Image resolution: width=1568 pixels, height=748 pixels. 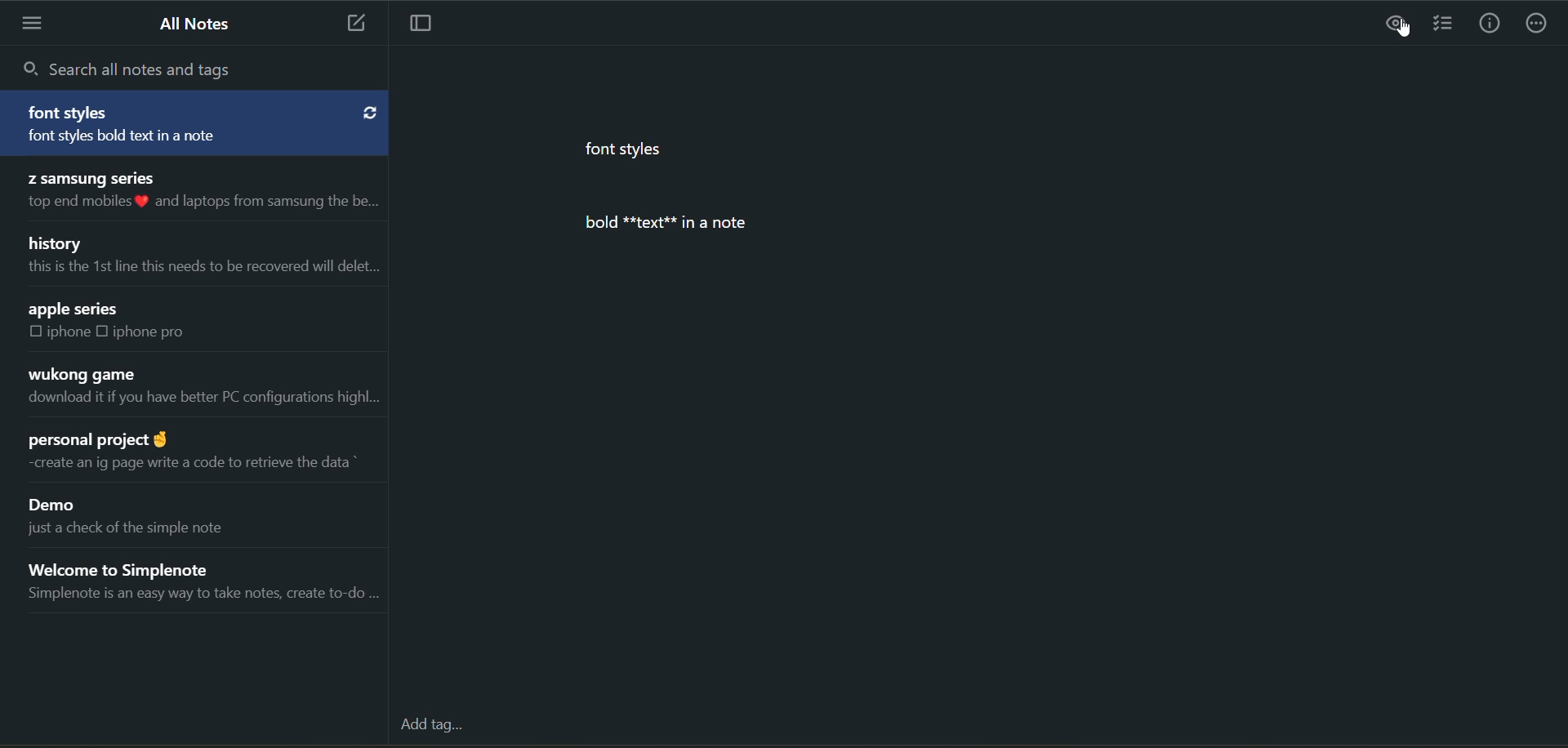 I want to click on icon, so click(x=369, y=111).